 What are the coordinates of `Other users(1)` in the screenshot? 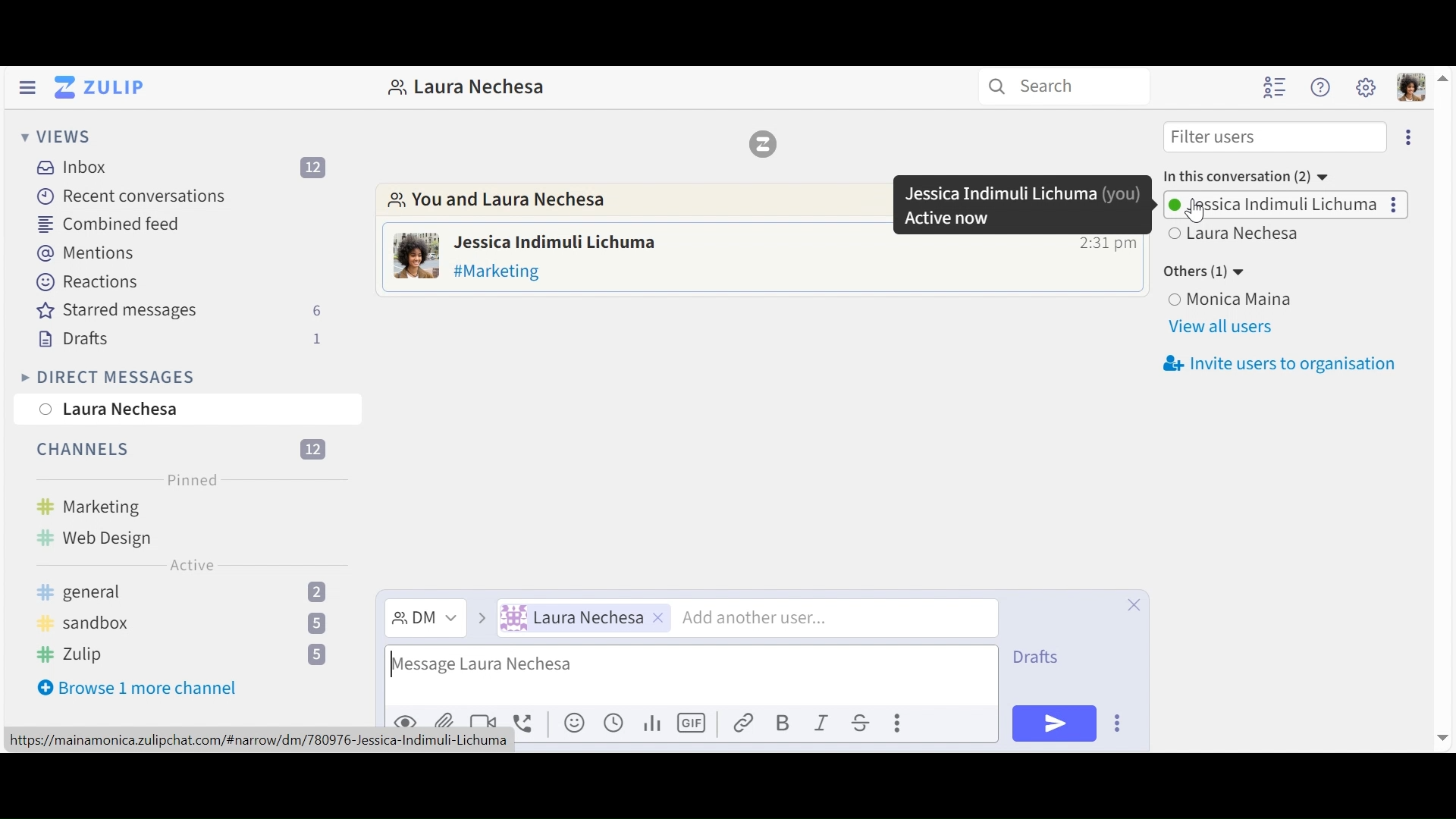 It's located at (1209, 272).